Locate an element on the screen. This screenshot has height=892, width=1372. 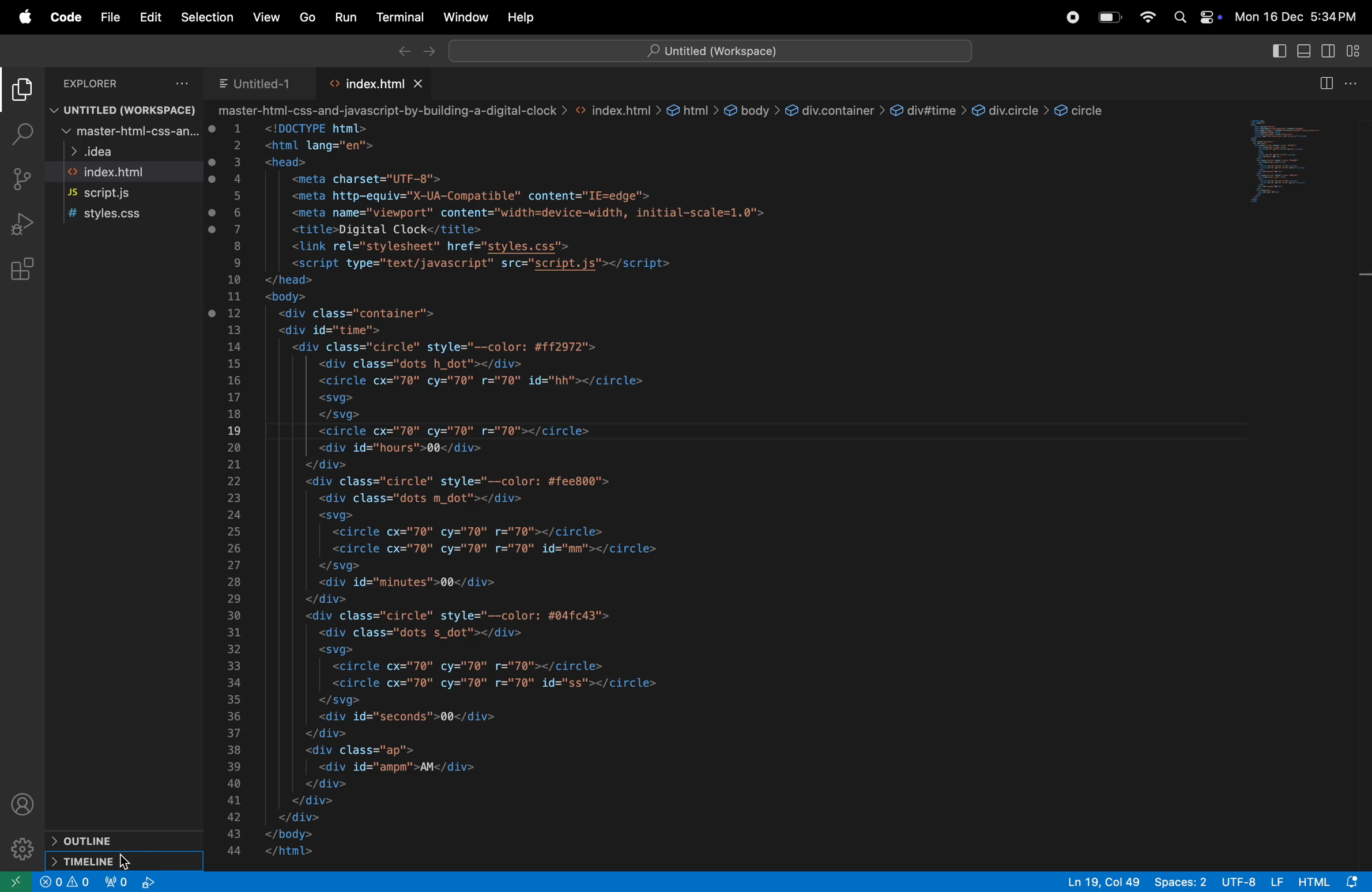
forward is located at coordinates (430, 50).